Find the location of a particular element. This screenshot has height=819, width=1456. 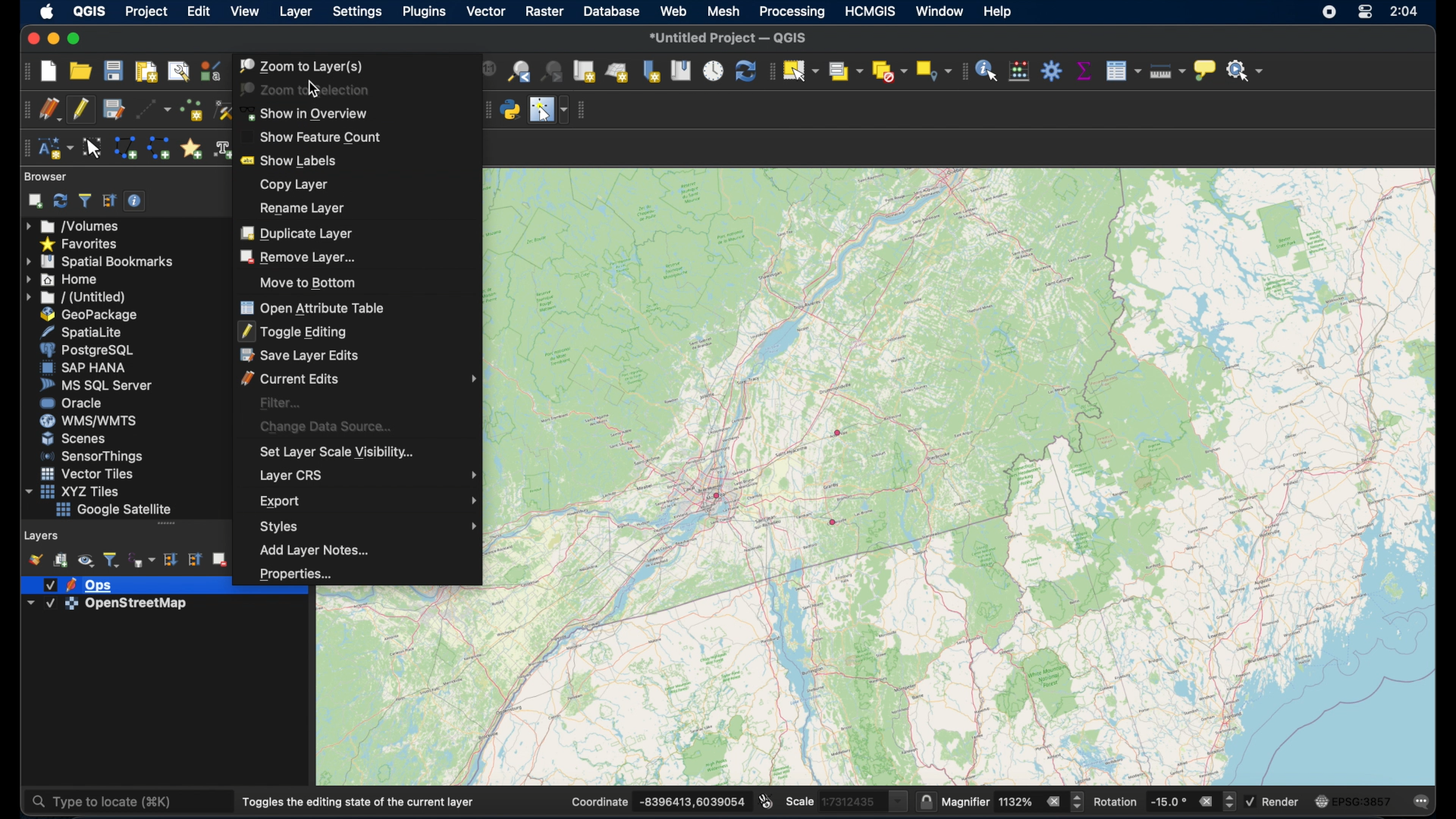

add layer notes is located at coordinates (310, 550).